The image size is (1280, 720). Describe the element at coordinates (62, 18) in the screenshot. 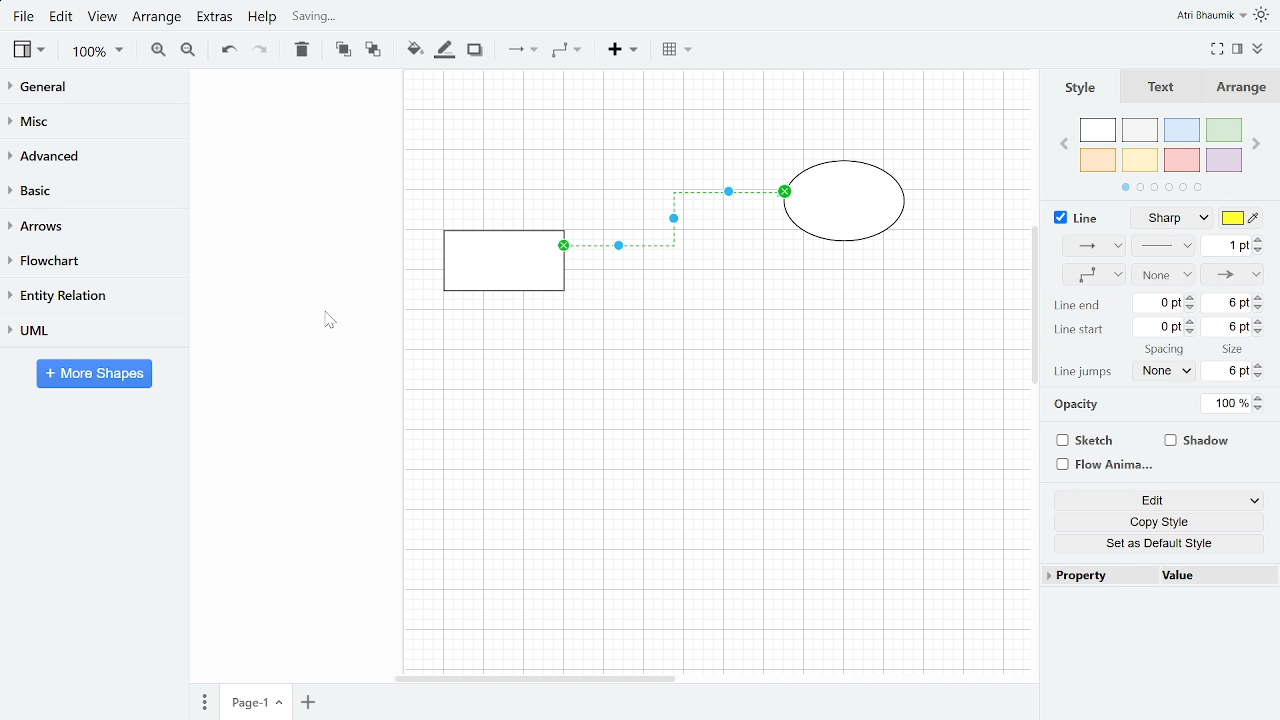

I see `EDit` at that location.